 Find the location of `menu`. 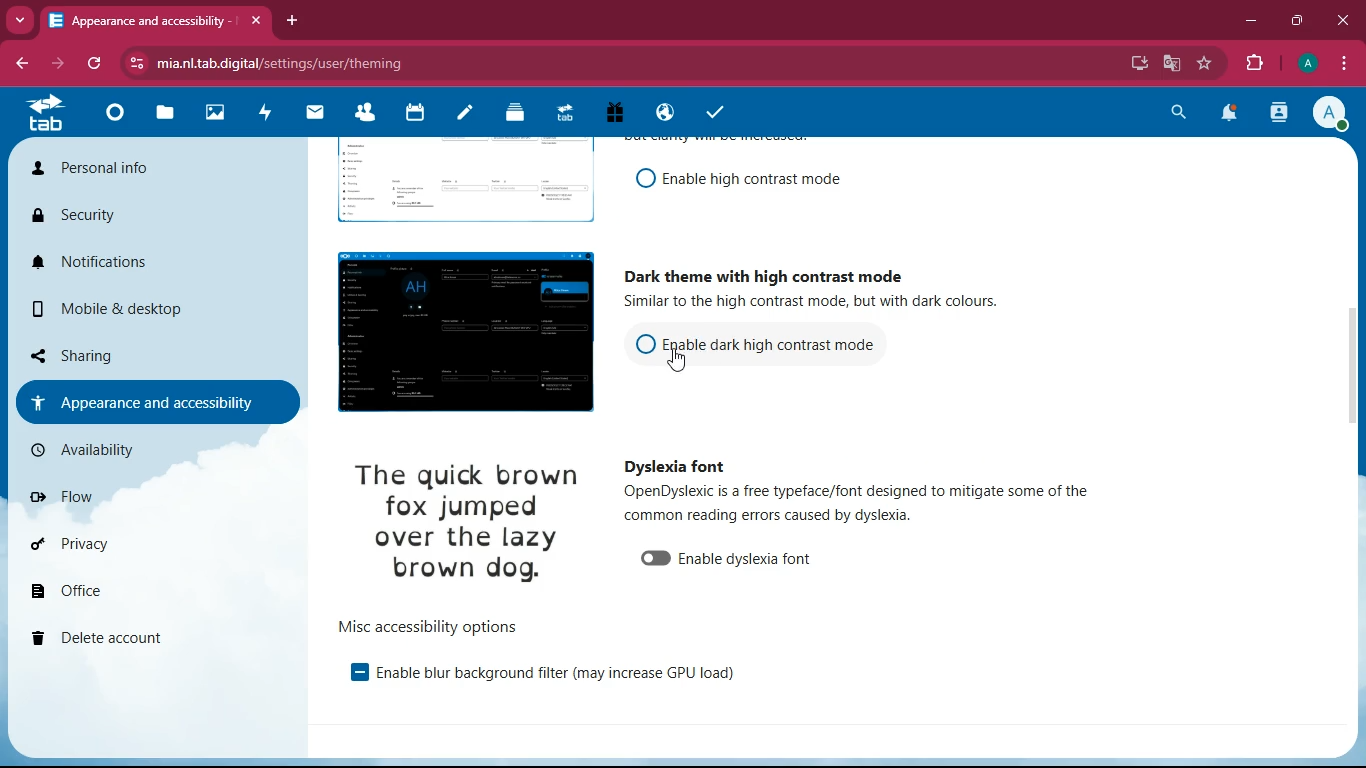

menu is located at coordinates (1347, 63).